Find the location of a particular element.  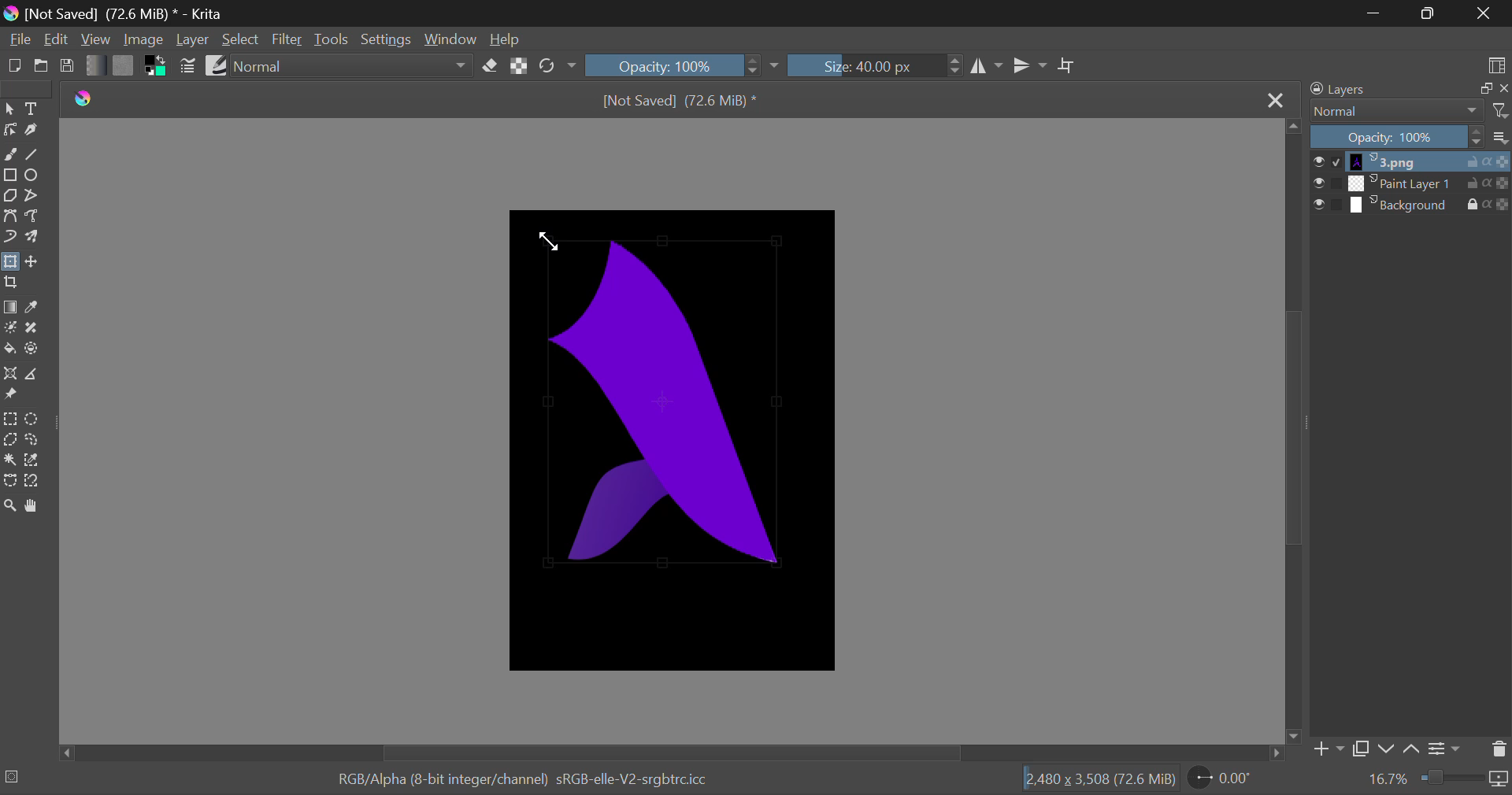

Blending Modes is located at coordinates (1395, 113).